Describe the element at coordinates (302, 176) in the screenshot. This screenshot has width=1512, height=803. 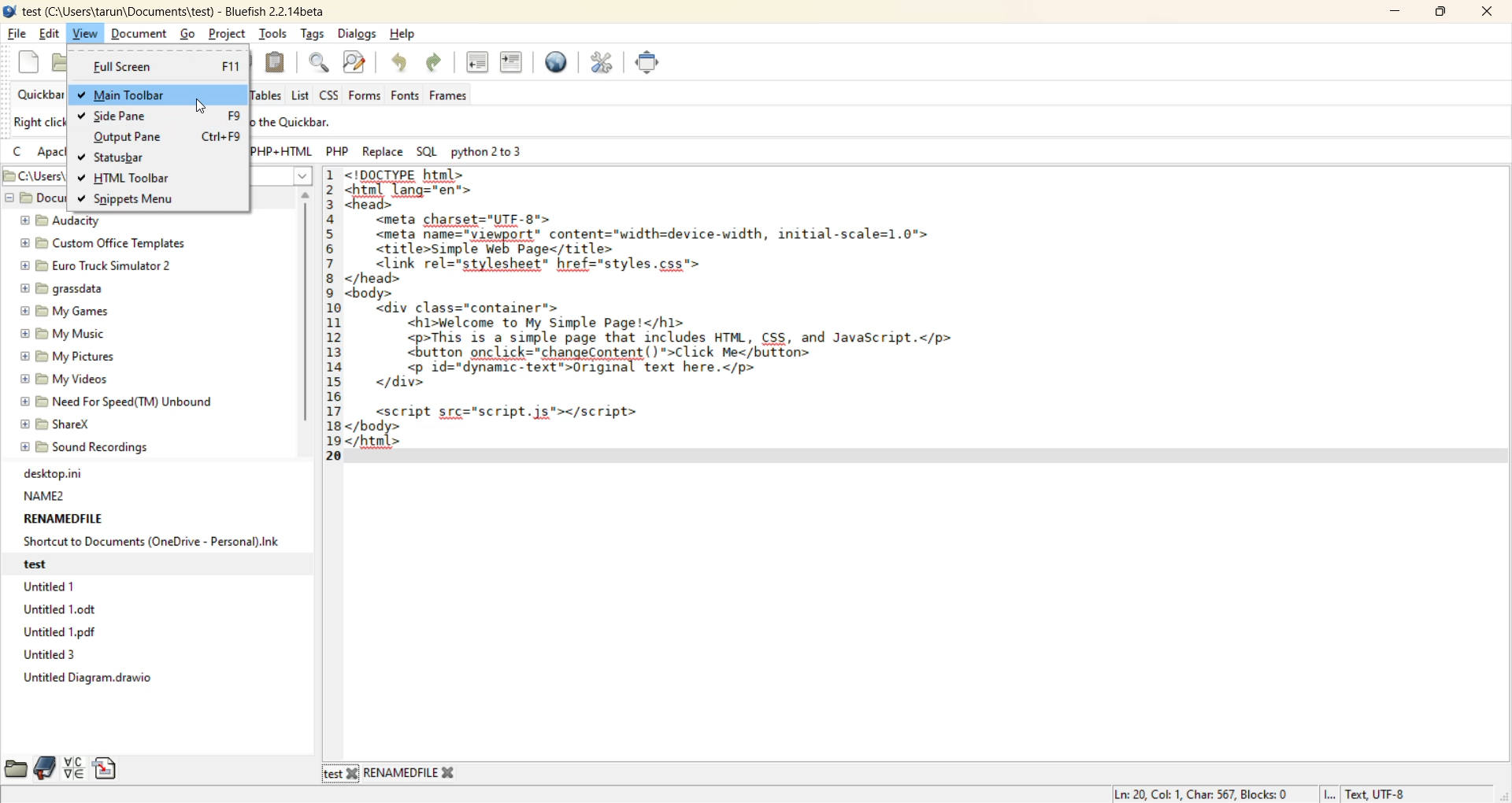
I see `dropdown` at that location.